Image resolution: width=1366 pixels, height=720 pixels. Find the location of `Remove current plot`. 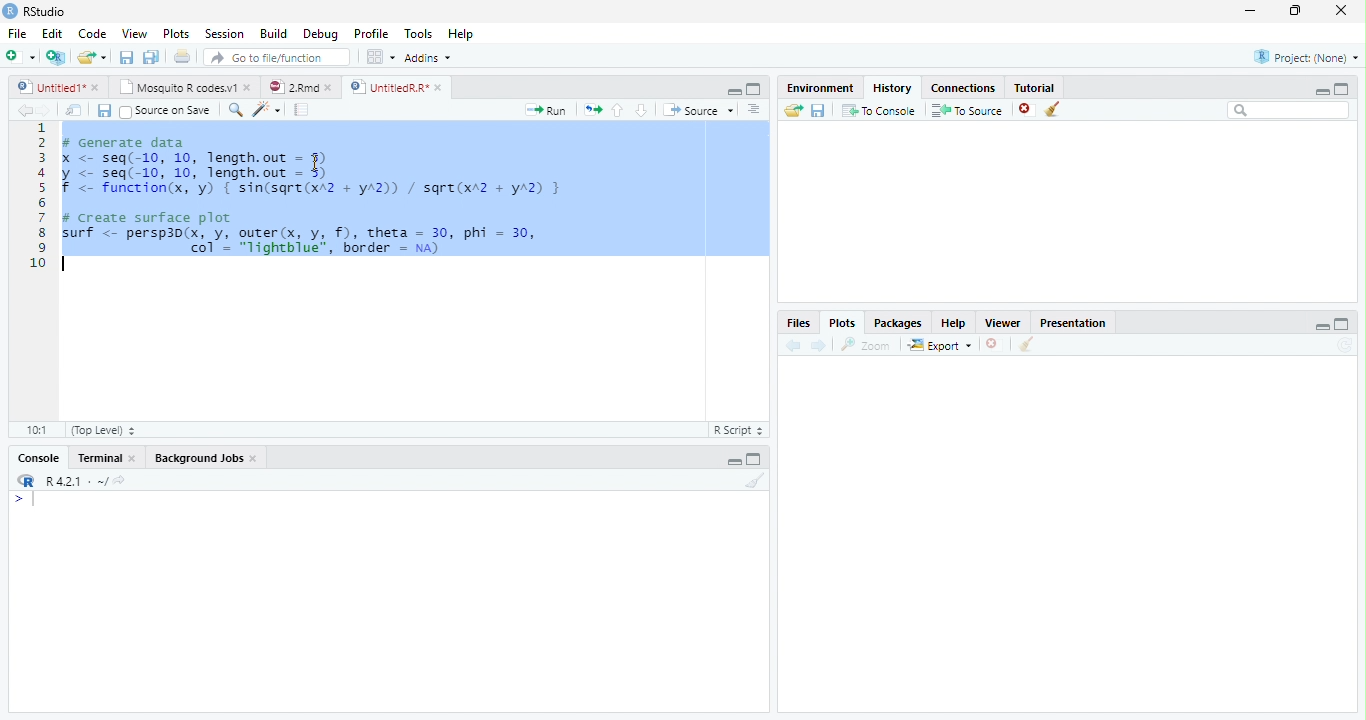

Remove current plot is located at coordinates (996, 344).